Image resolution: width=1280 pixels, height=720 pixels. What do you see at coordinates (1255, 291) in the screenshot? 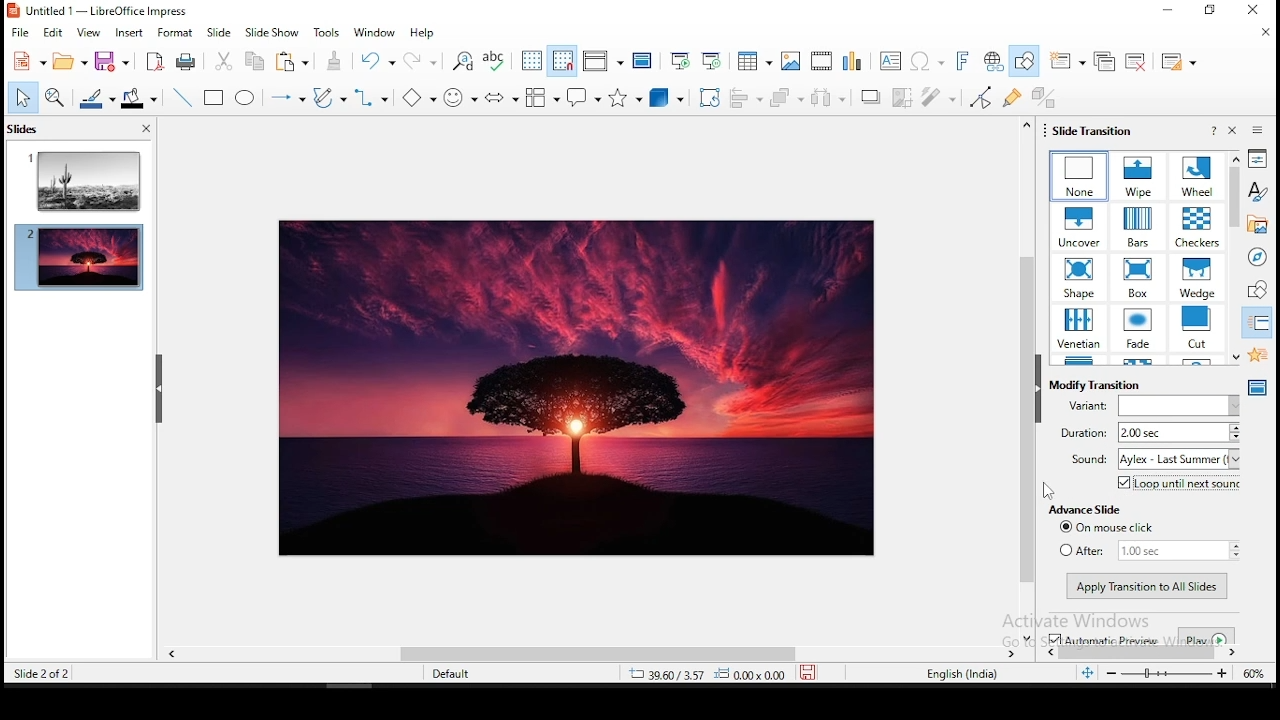
I see `shapes` at bounding box center [1255, 291].